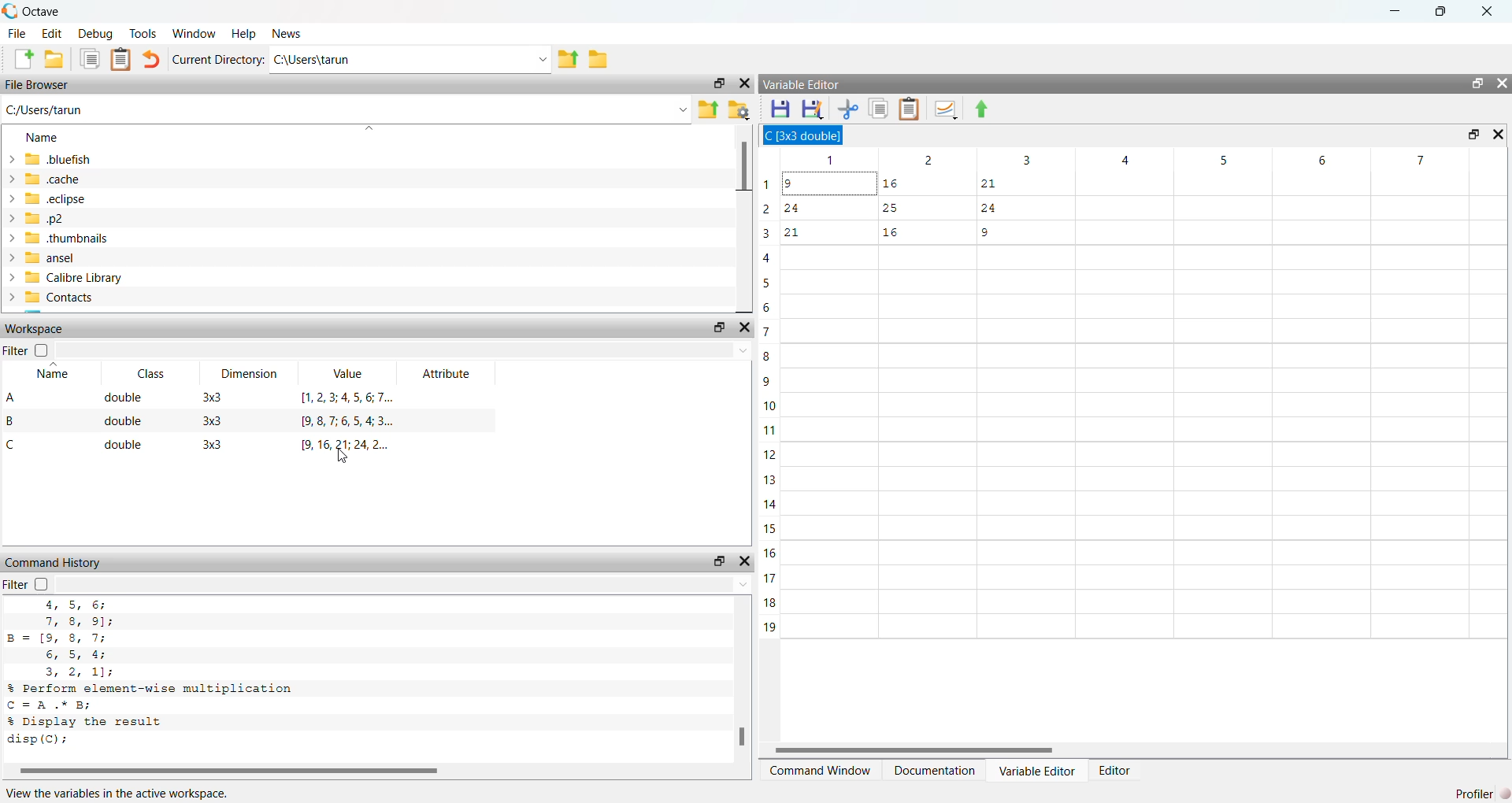 The image size is (1512, 803). Describe the element at coordinates (739, 109) in the screenshot. I see `Folder Settings` at that location.